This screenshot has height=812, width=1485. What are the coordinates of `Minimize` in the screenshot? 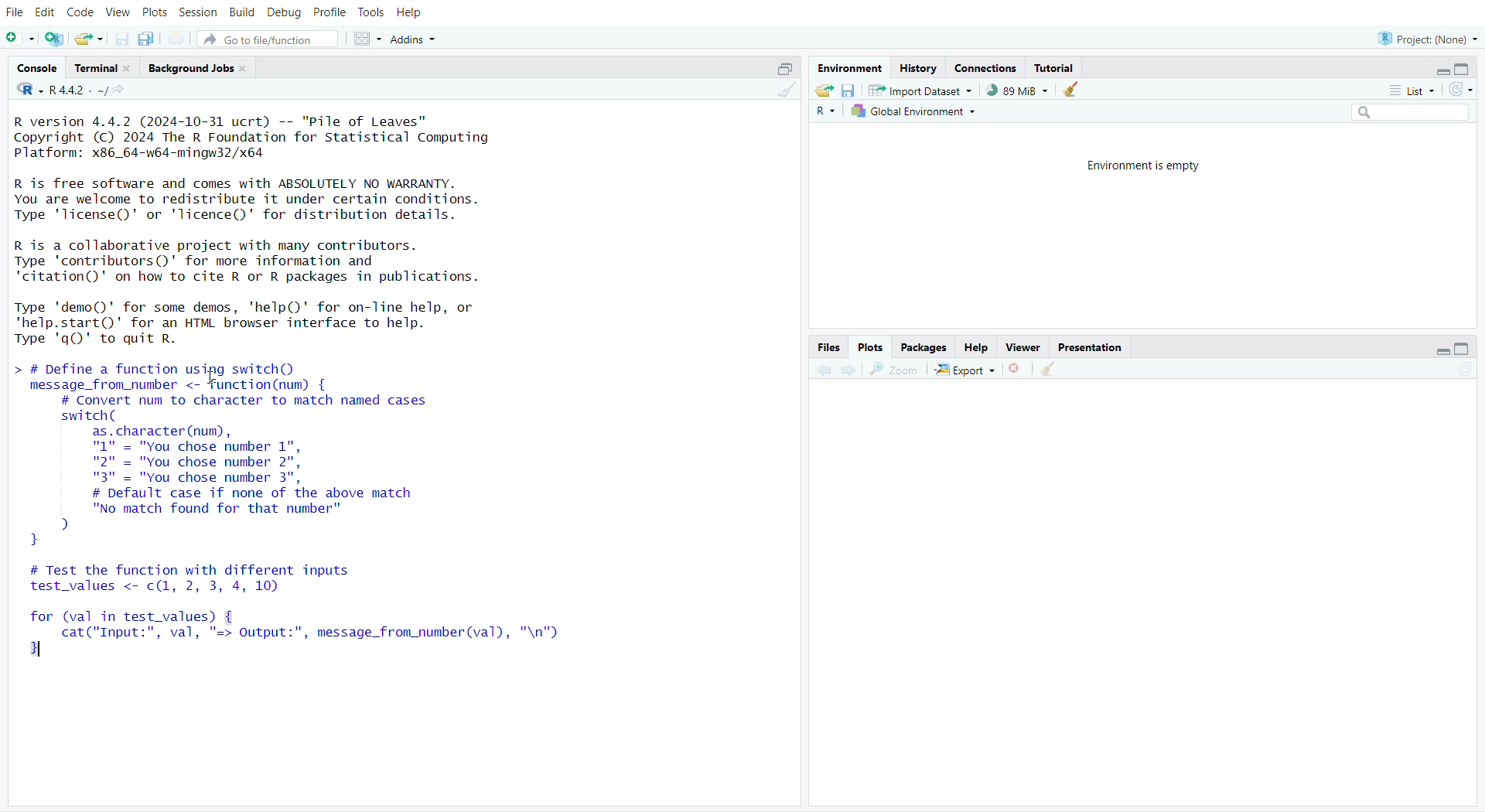 It's located at (1439, 350).